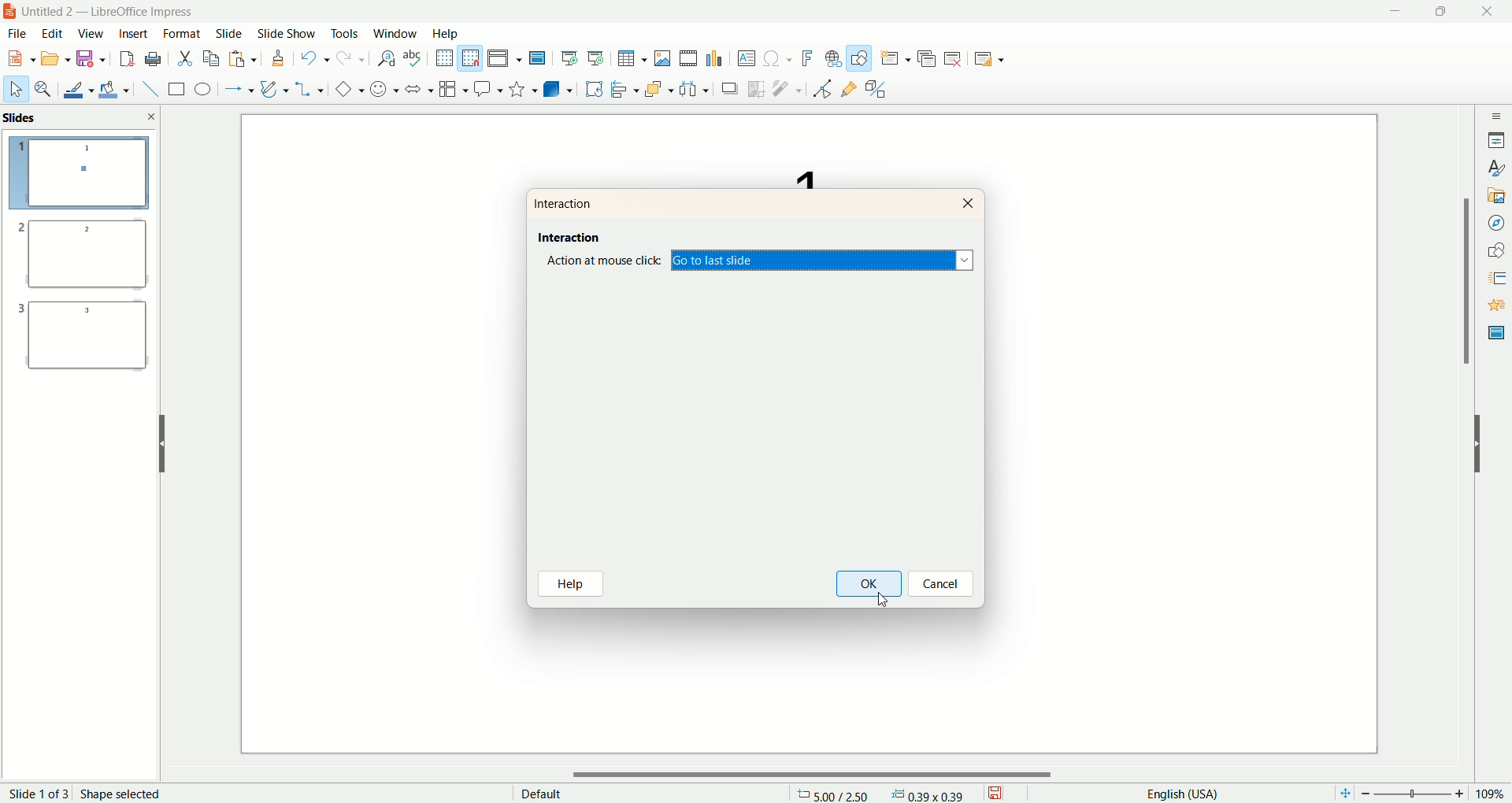 This screenshot has height=803, width=1512. I want to click on slide show, so click(289, 34).